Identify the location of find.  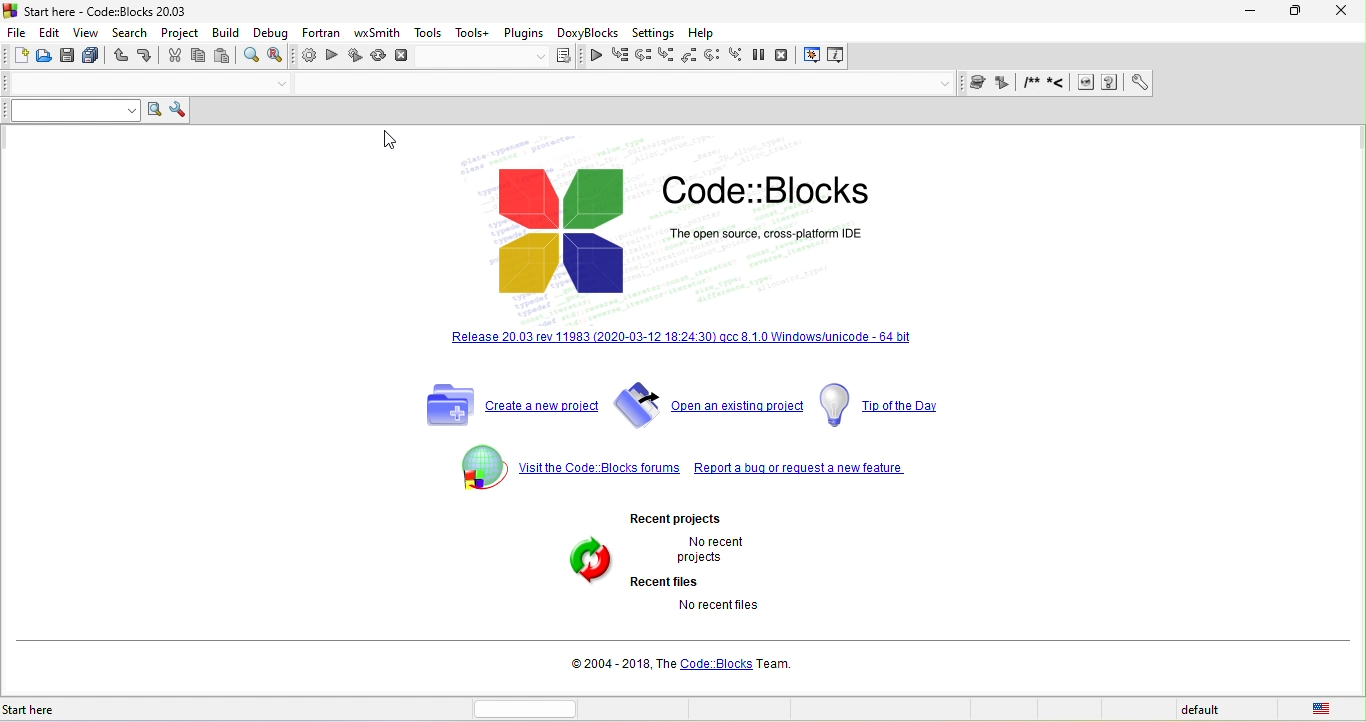
(251, 55).